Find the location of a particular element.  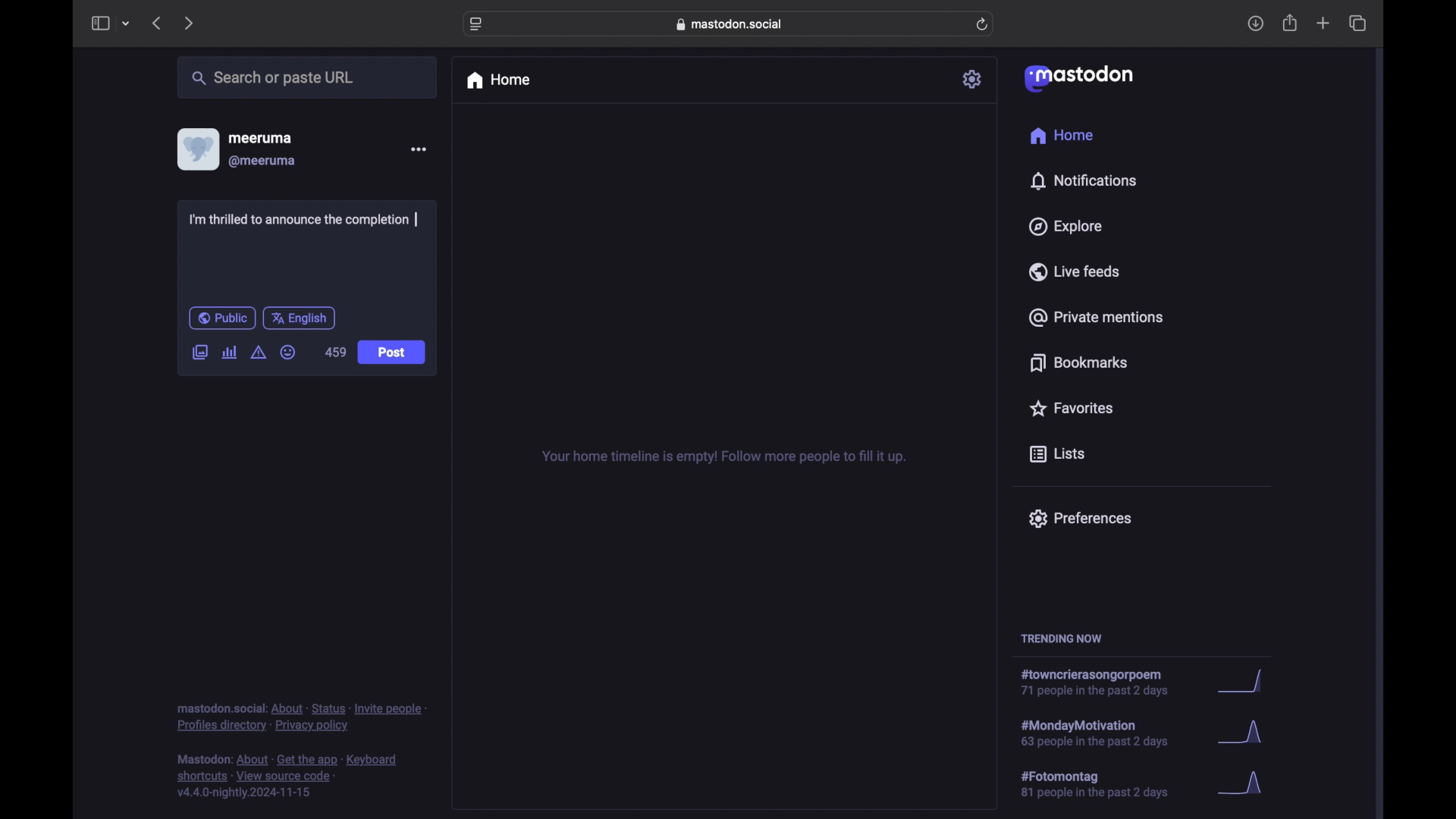

emoji is located at coordinates (288, 352).